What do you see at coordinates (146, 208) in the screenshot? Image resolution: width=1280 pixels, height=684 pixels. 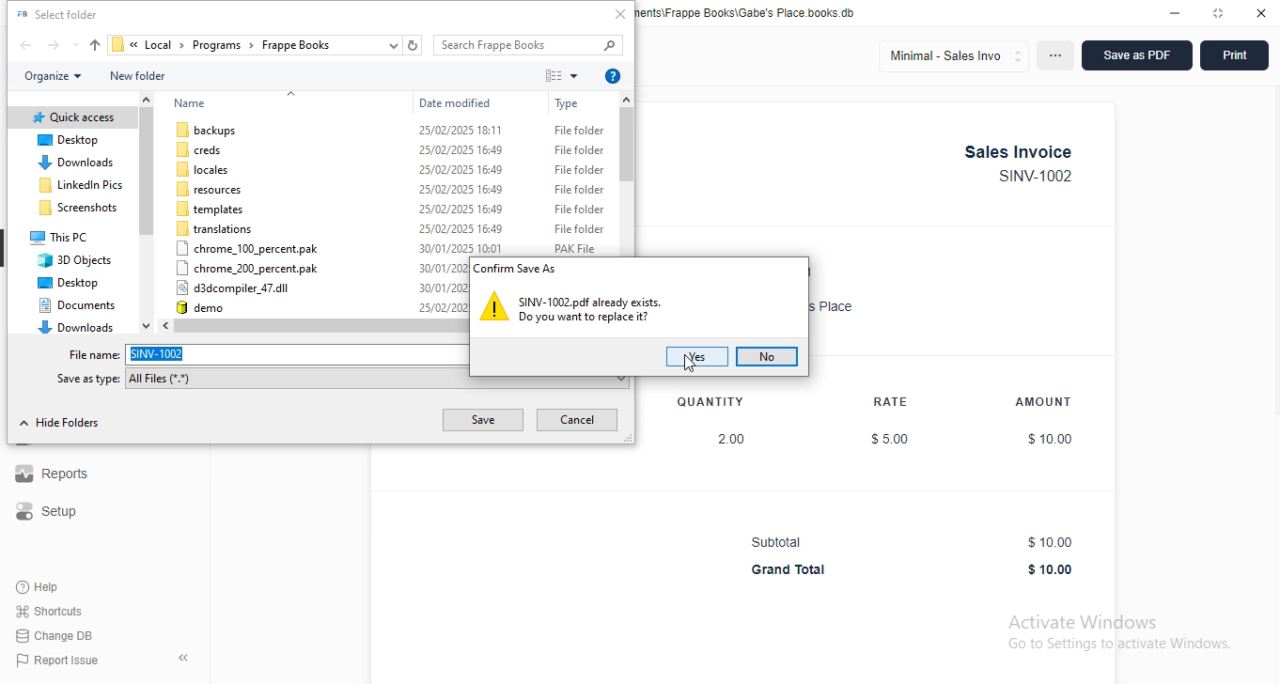 I see `scroll bar` at bounding box center [146, 208].